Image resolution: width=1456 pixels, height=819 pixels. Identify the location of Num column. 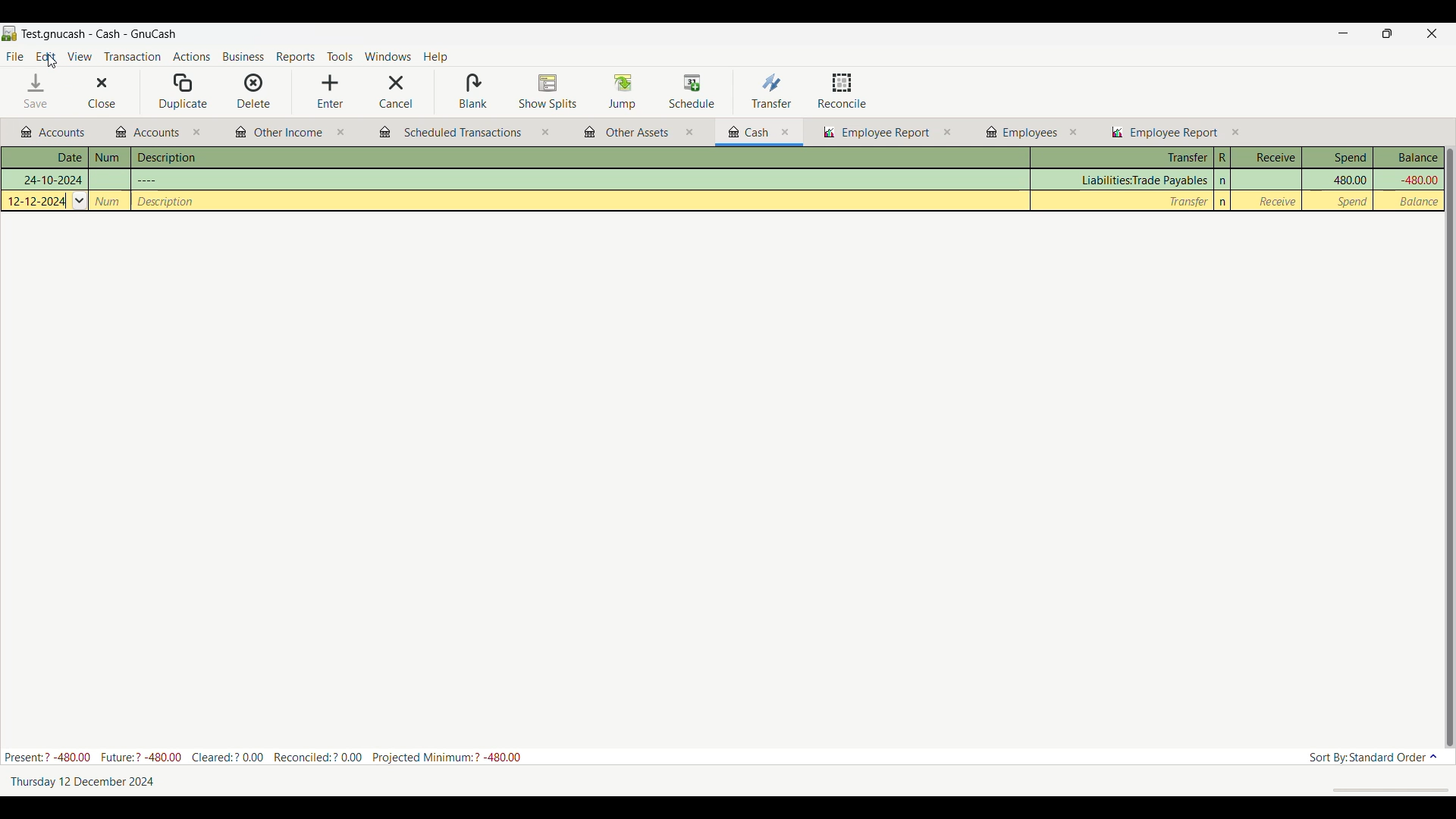
(107, 158).